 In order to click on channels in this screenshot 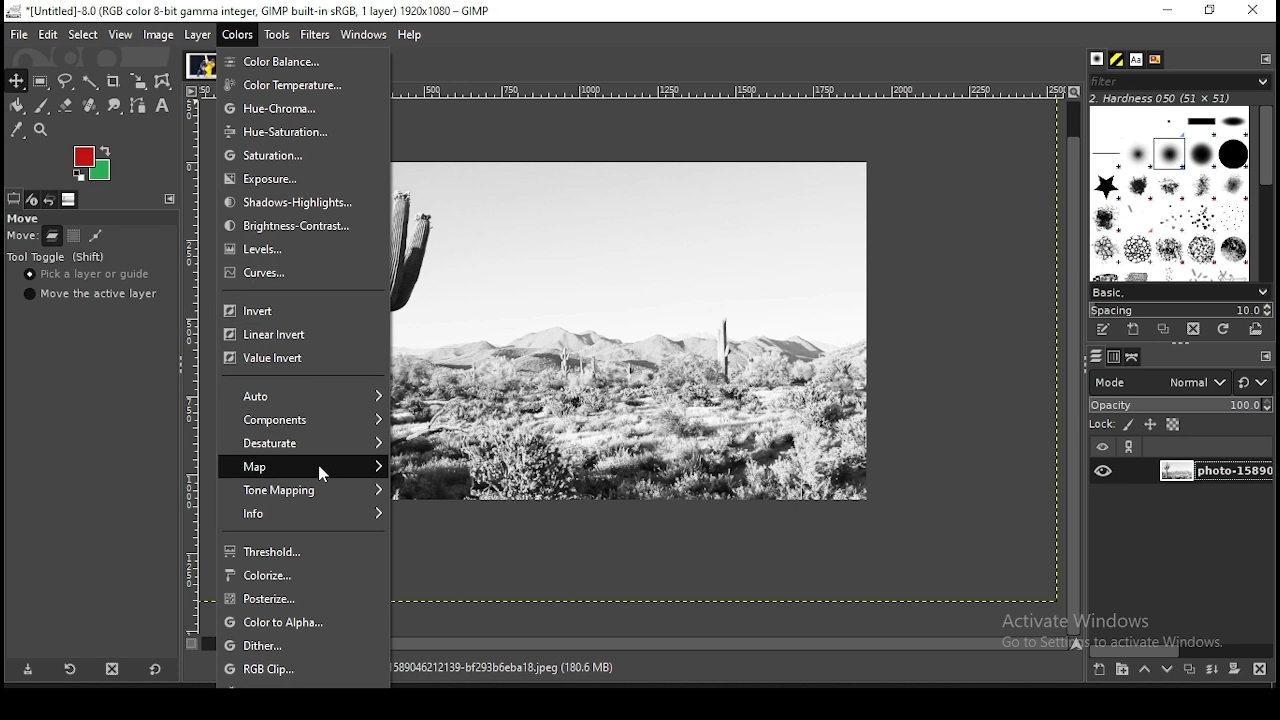, I will do `click(1116, 357)`.